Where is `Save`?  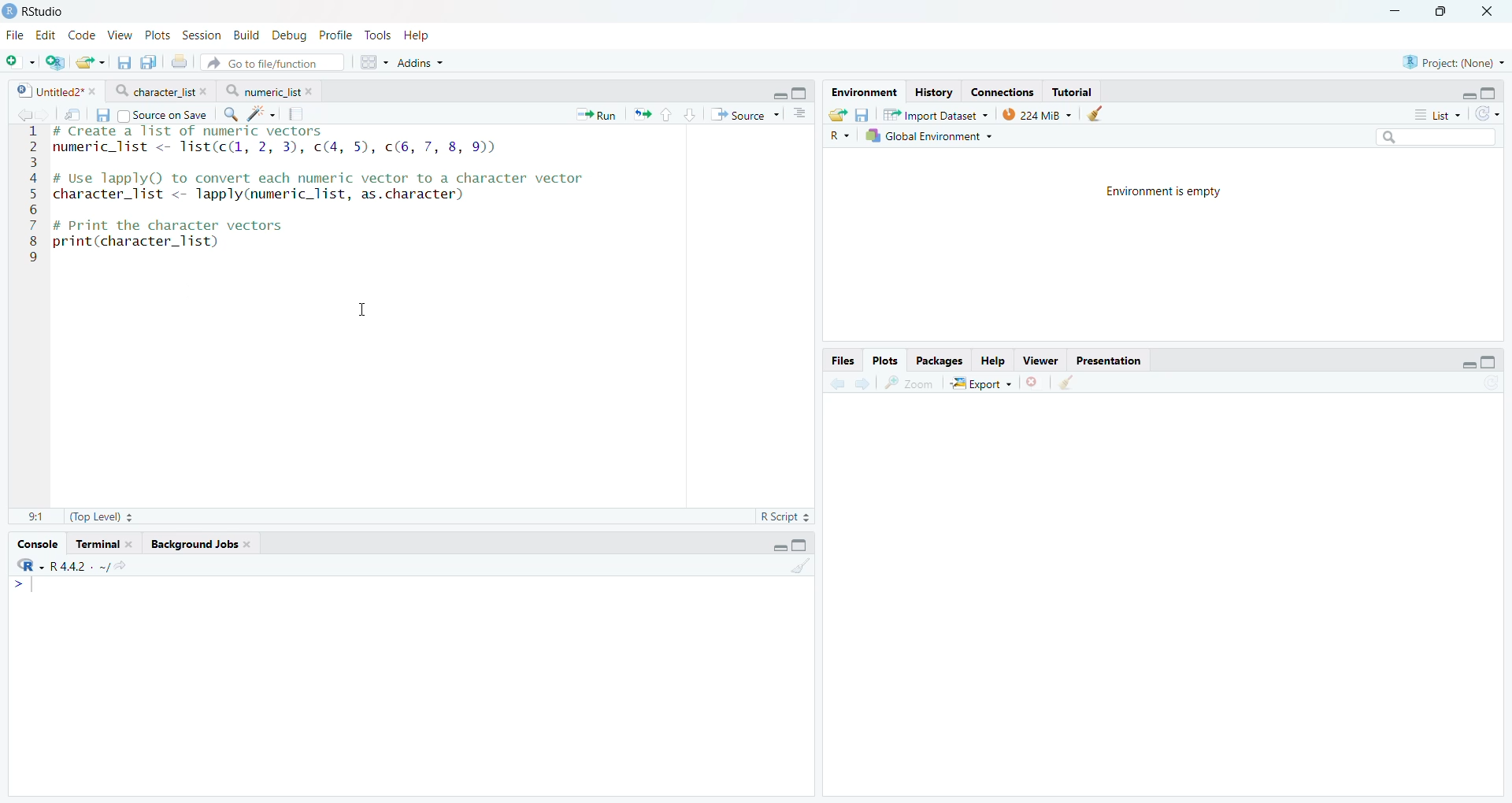
Save is located at coordinates (102, 115).